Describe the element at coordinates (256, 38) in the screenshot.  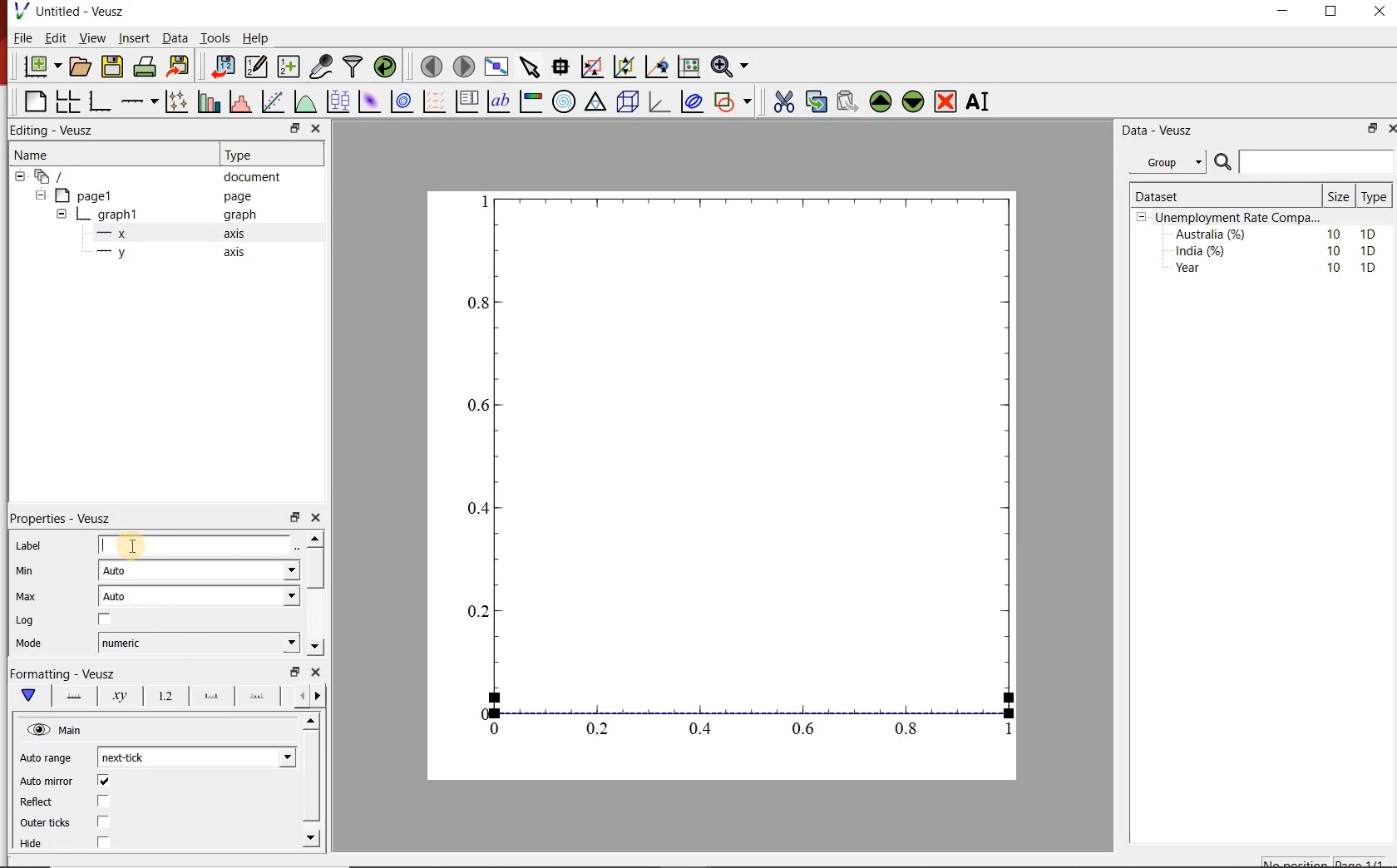
I see `Help` at that location.